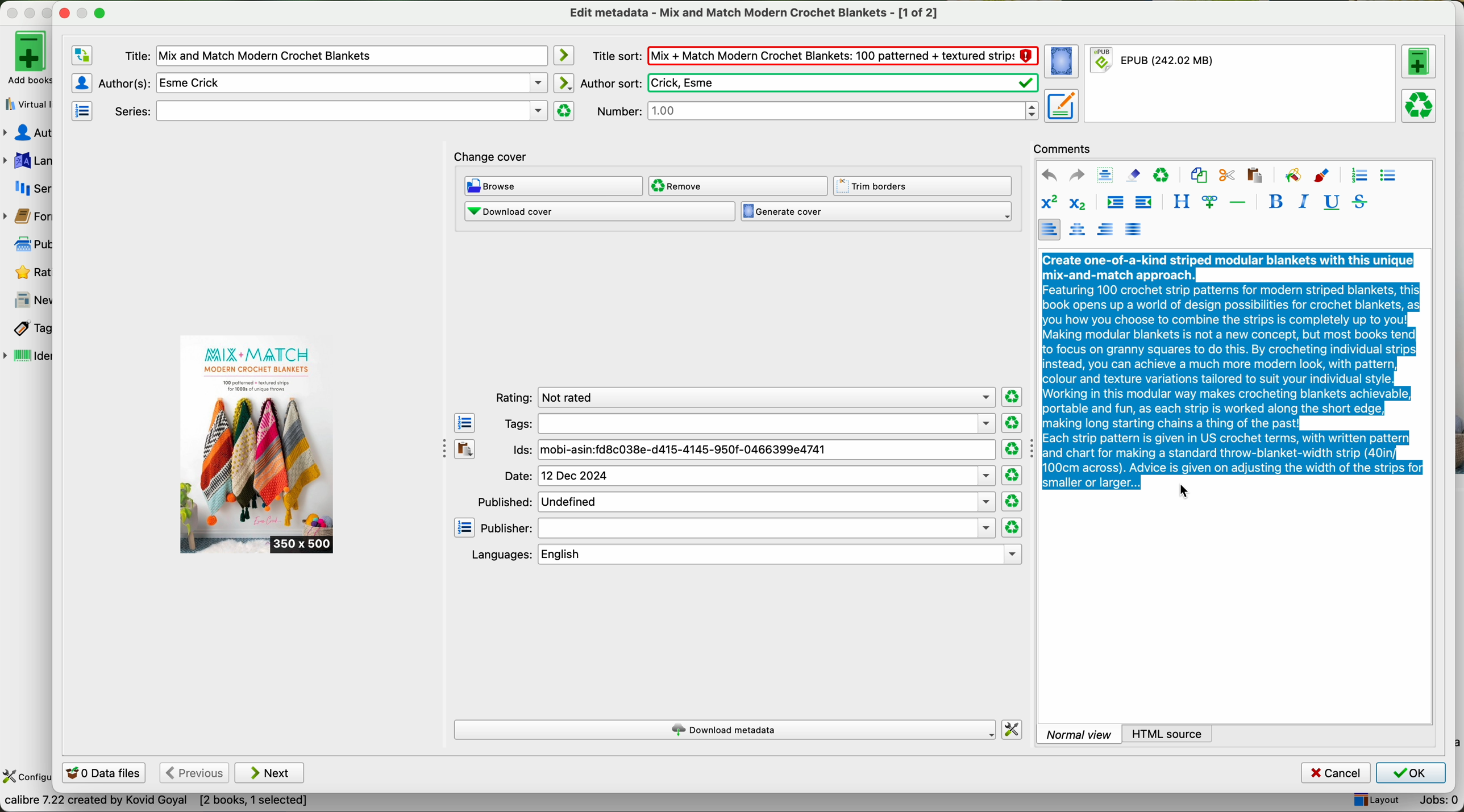 This screenshot has height=812, width=1464. Describe the element at coordinates (323, 82) in the screenshot. I see `author(s)` at that location.